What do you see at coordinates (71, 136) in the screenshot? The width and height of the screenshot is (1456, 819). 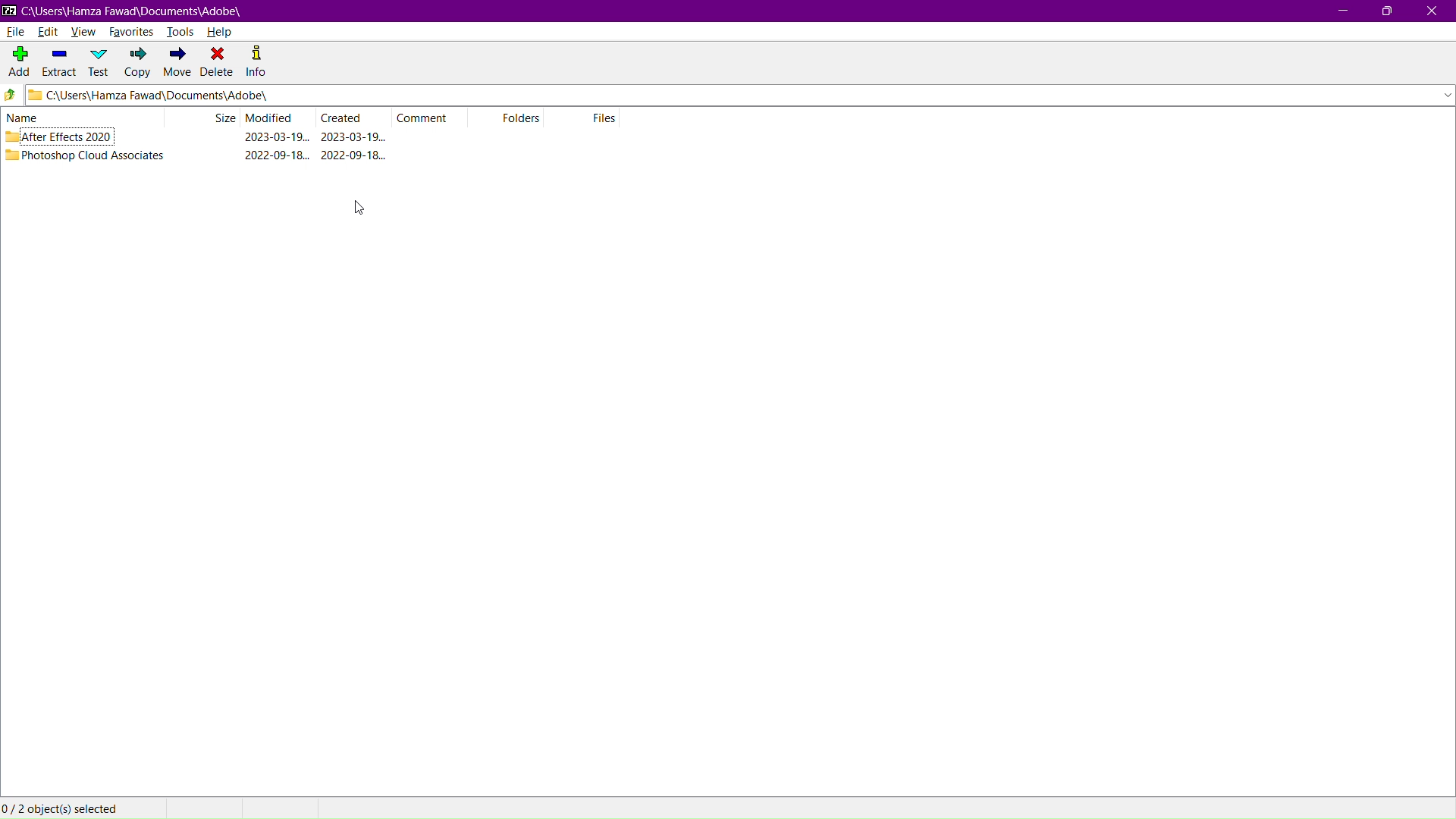 I see `After Effects 2020` at bounding box center [71, 136].